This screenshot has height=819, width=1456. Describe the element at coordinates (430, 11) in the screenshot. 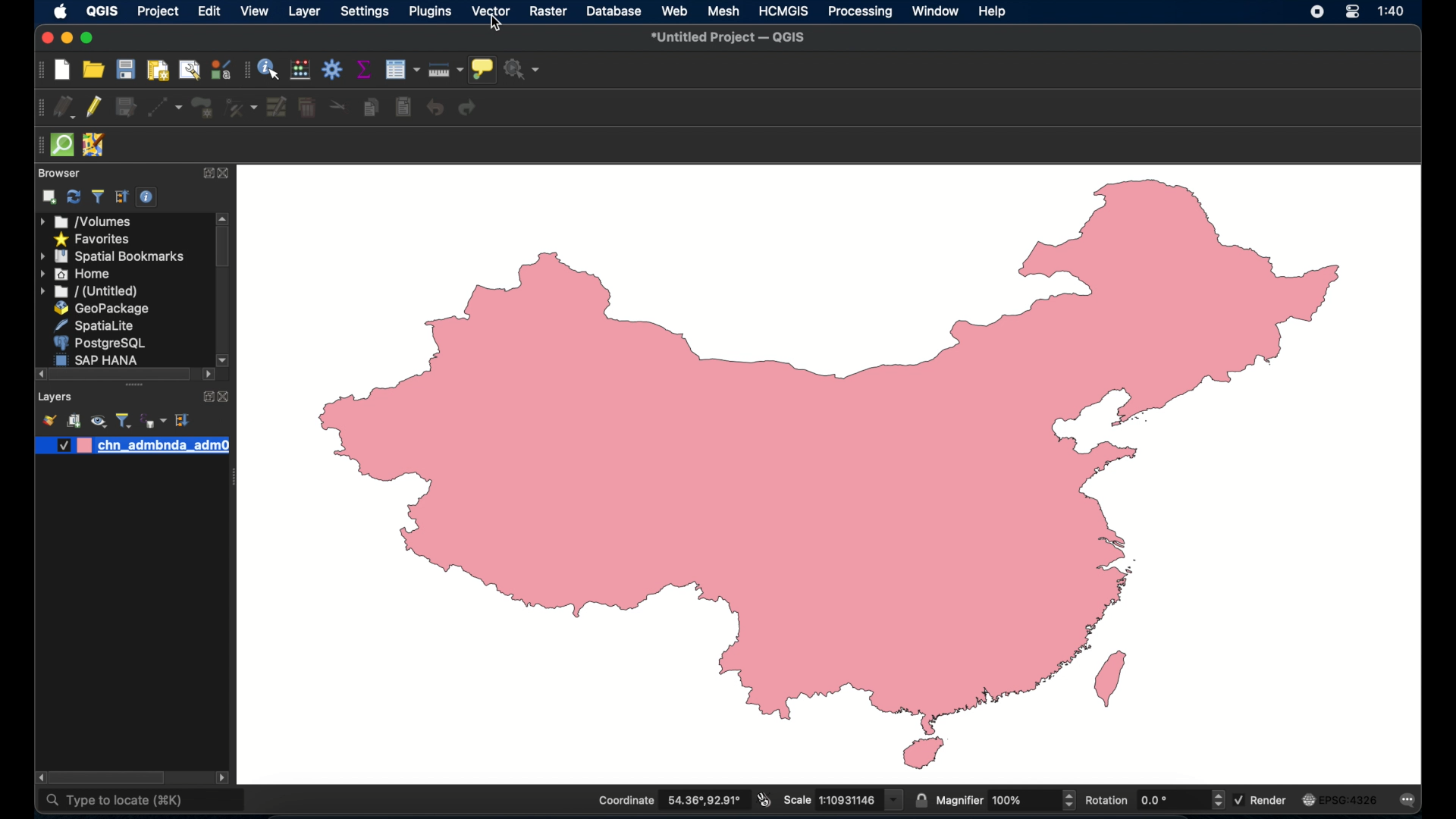

I see `plugins` at that location.